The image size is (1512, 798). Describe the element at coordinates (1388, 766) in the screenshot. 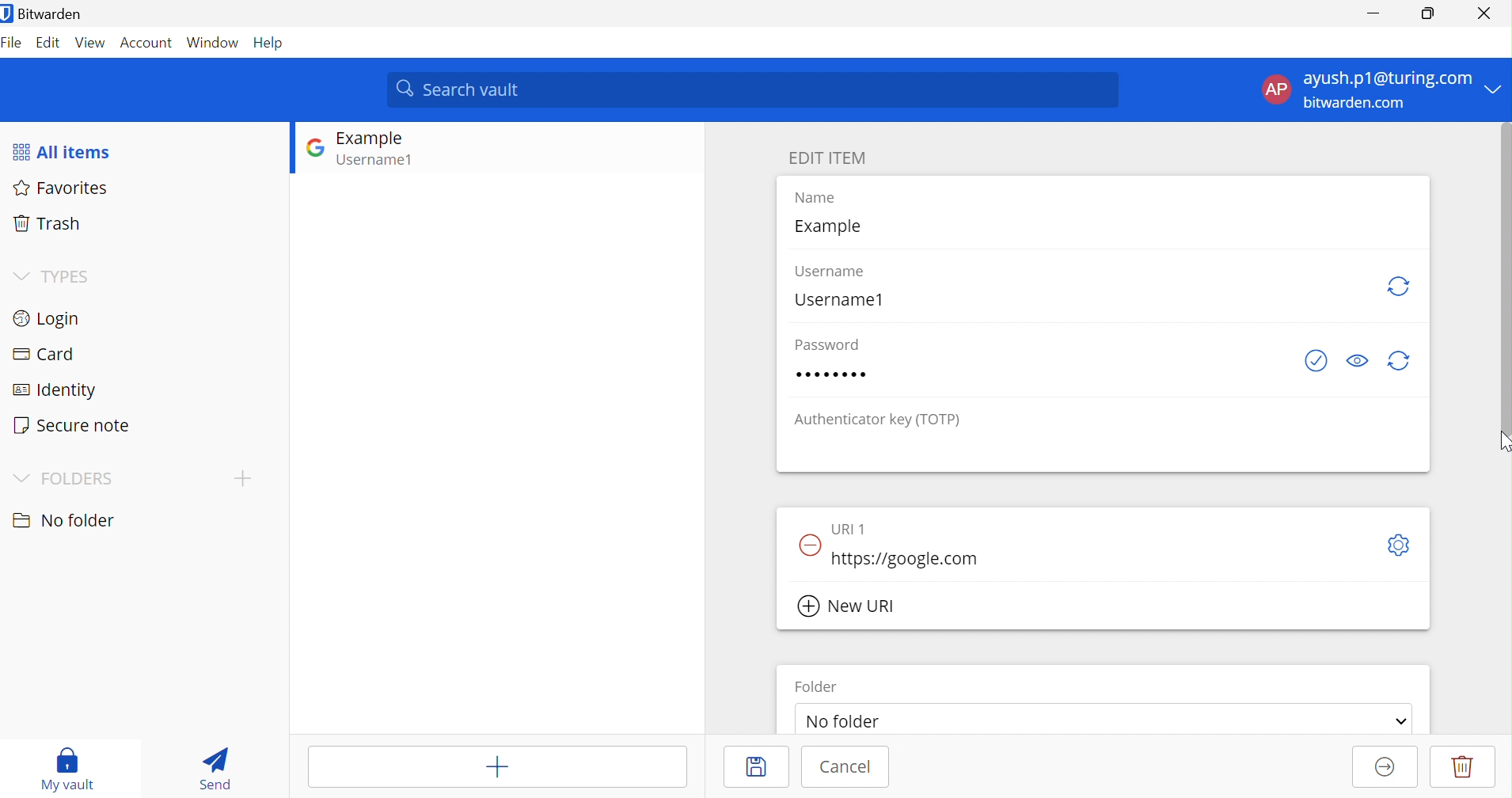

I see `Move to organisation` at that location.